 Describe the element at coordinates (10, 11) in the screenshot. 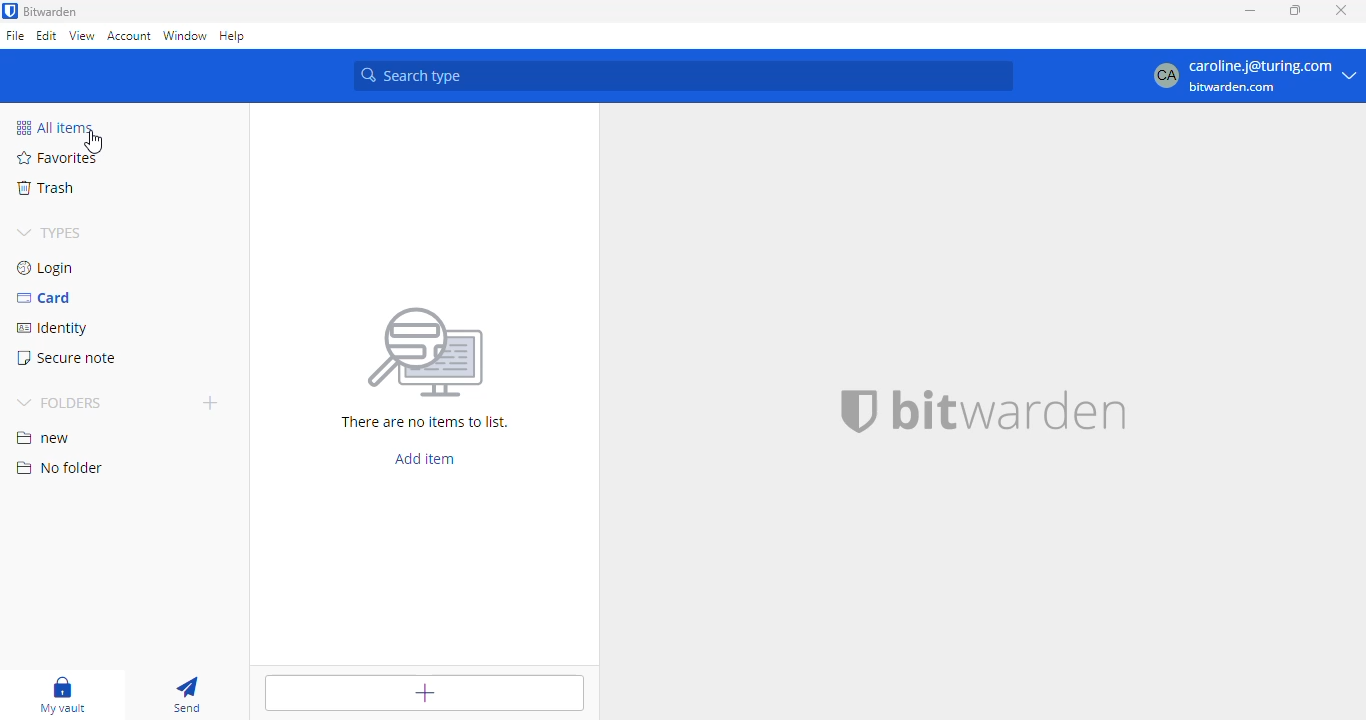

I see `logo` at that location.